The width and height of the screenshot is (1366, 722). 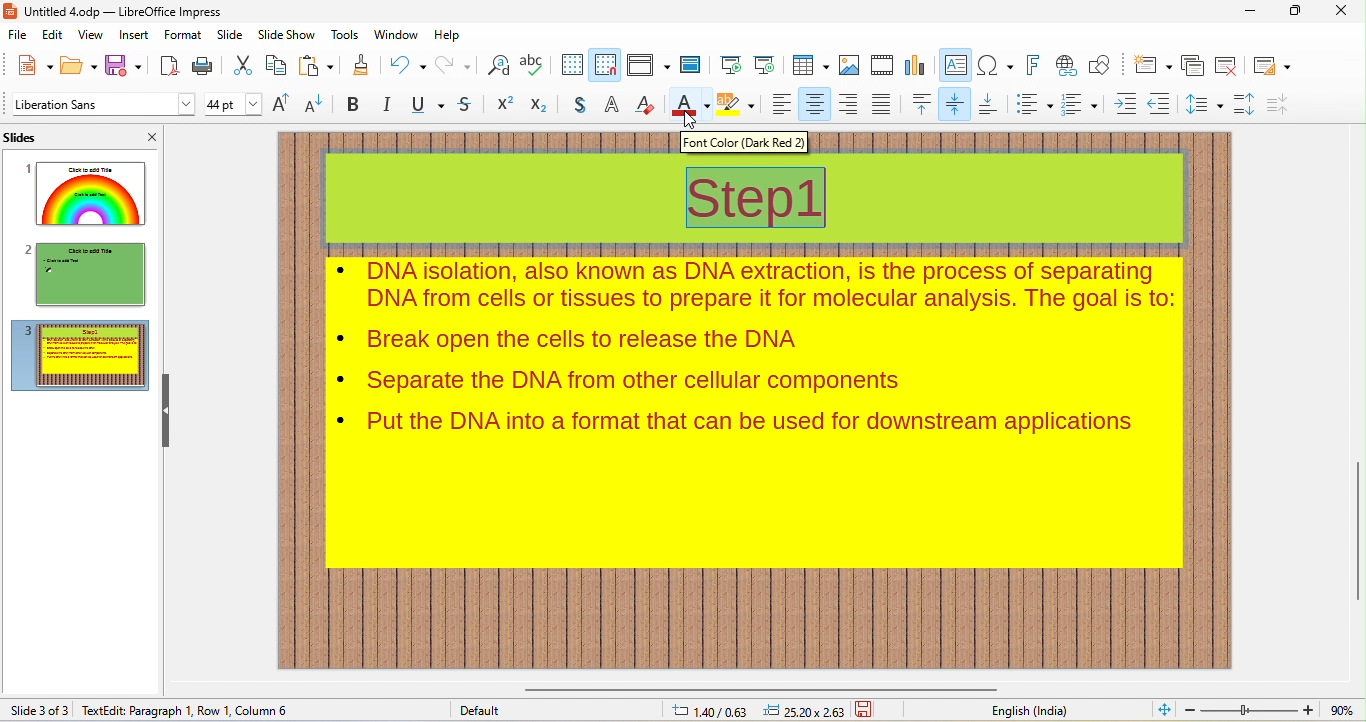 What do you see at coordinates (1102, 65) in the screenshot?
I see `show draw functions` at bounding box center [1102, 65].